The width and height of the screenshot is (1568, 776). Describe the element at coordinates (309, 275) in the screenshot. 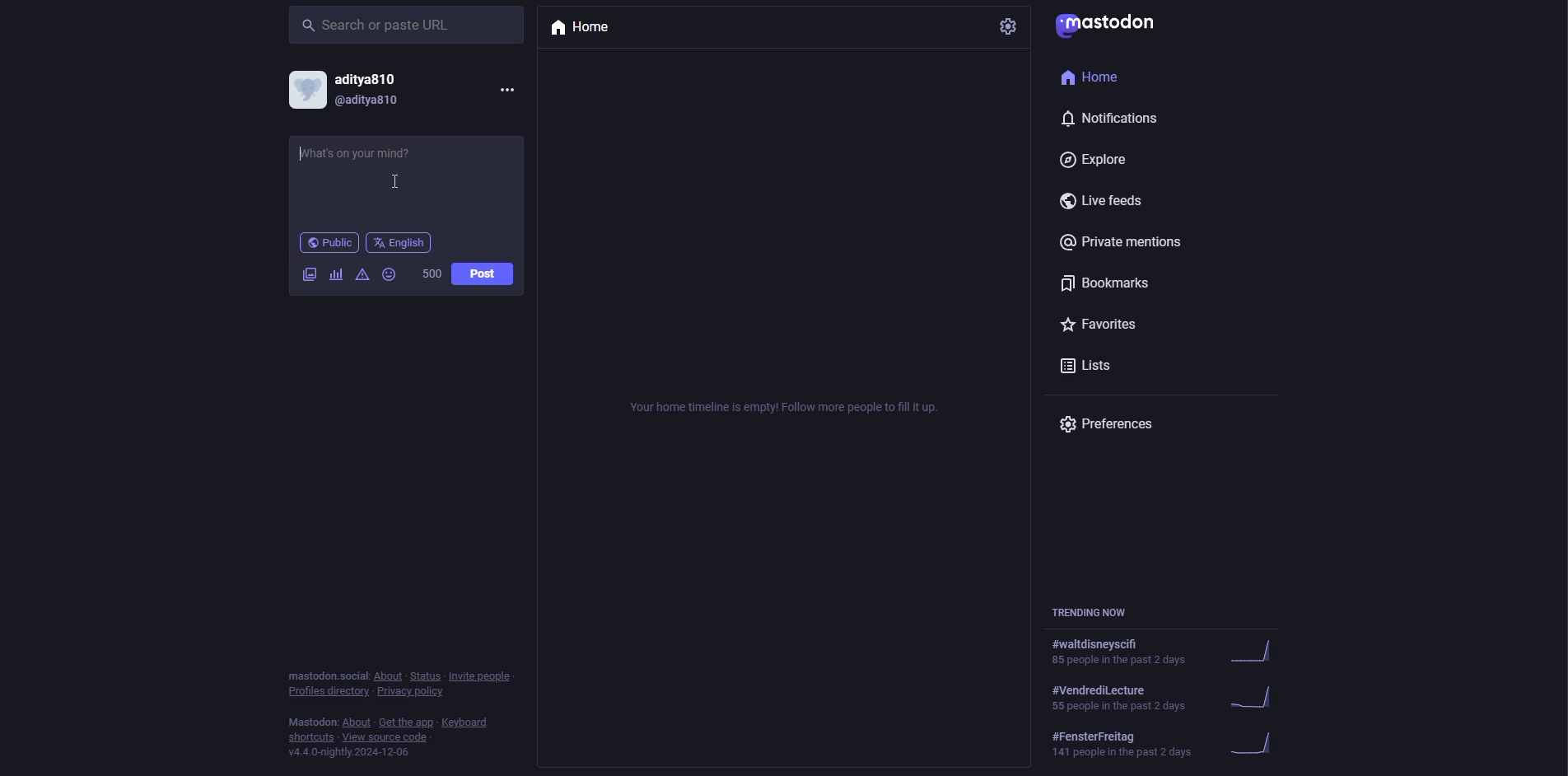

I see `image` at that location.